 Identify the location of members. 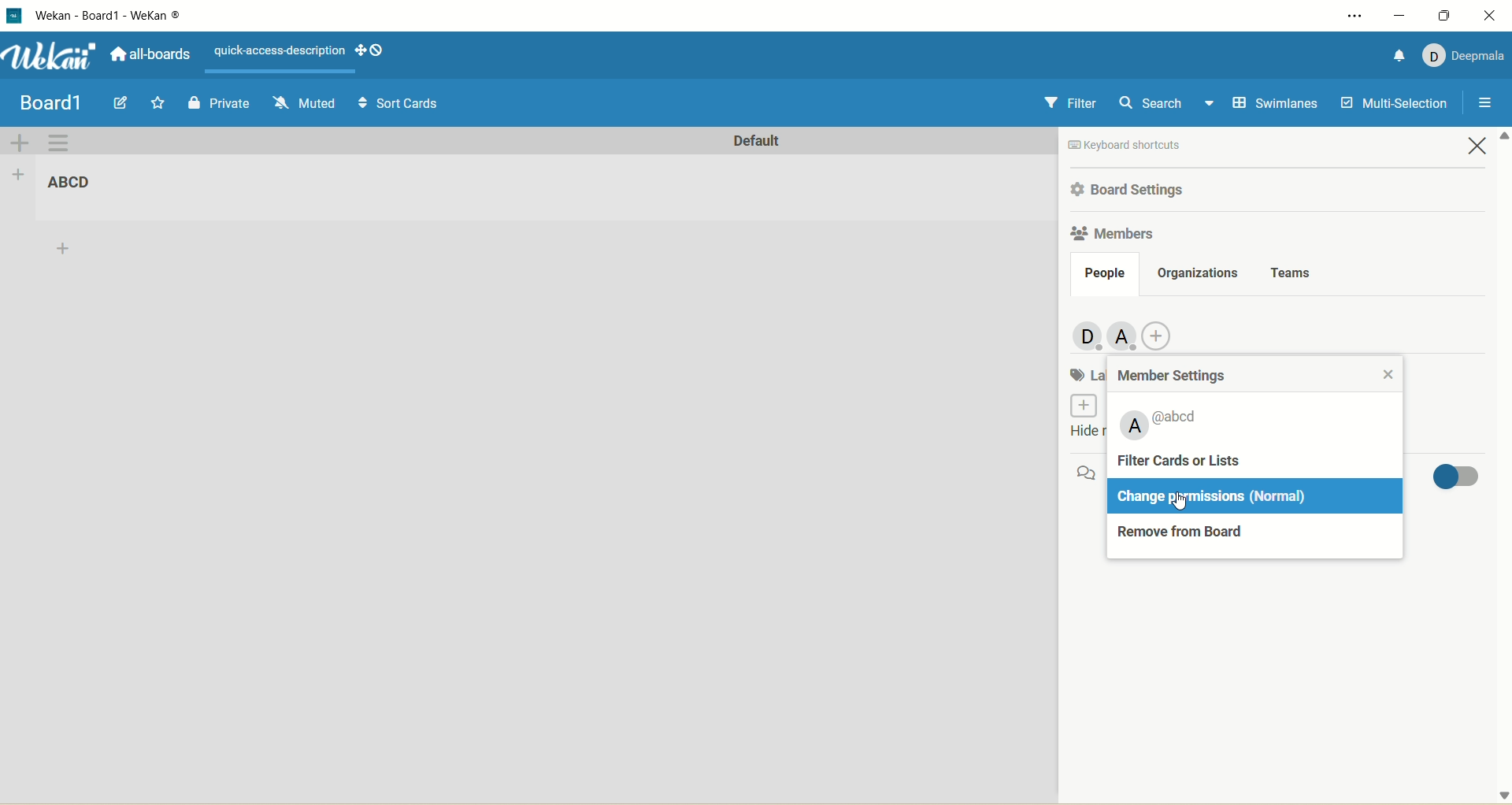
(1084, 334).